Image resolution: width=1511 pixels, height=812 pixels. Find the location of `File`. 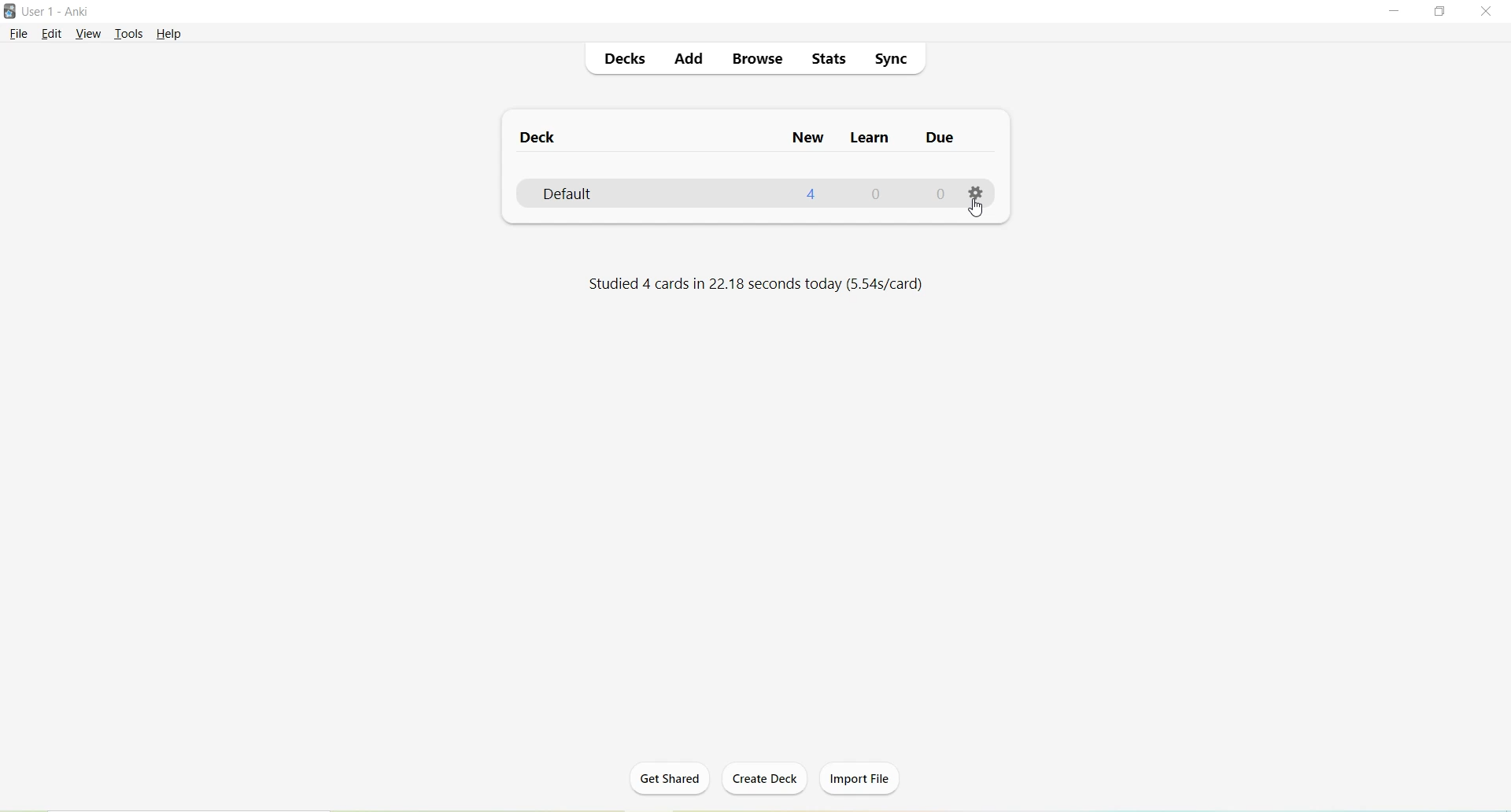

File is located at coordinates (18, 33).